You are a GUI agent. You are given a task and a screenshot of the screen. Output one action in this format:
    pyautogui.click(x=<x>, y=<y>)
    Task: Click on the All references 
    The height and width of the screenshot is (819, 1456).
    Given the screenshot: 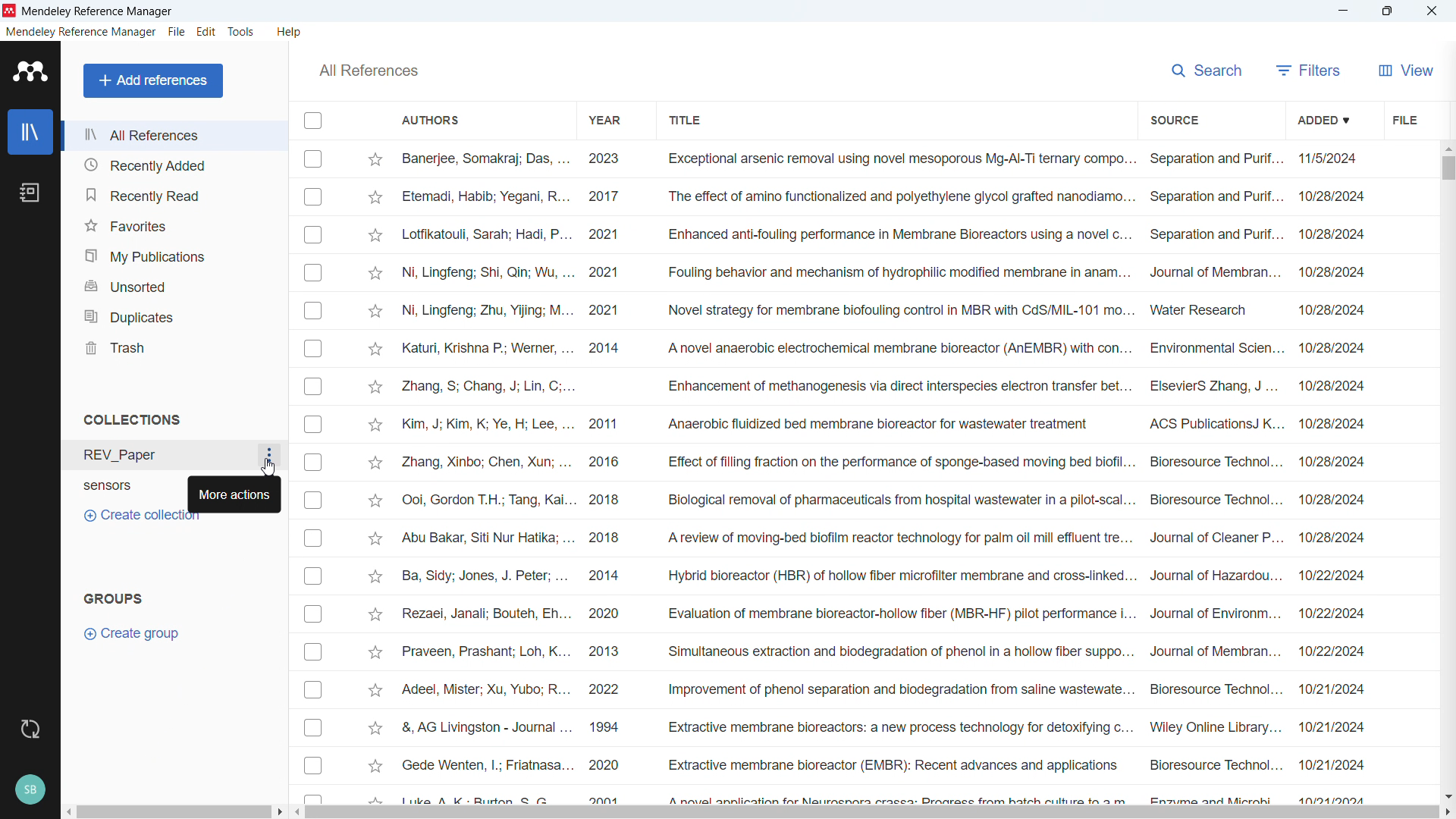 What is the action you would take?
    pyautogui.click(x=174, y=136)
    